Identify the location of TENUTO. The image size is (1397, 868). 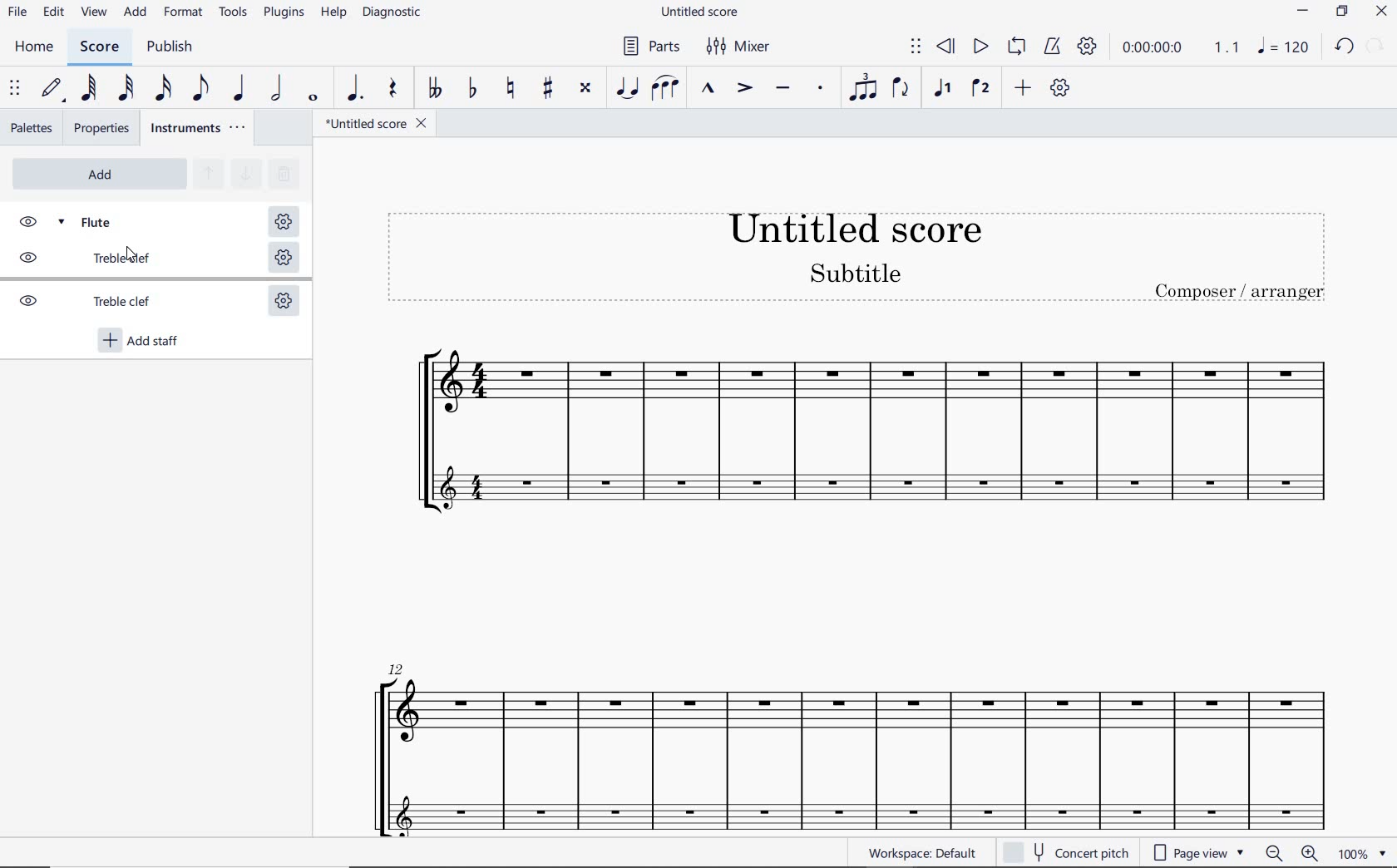
(782, 90).